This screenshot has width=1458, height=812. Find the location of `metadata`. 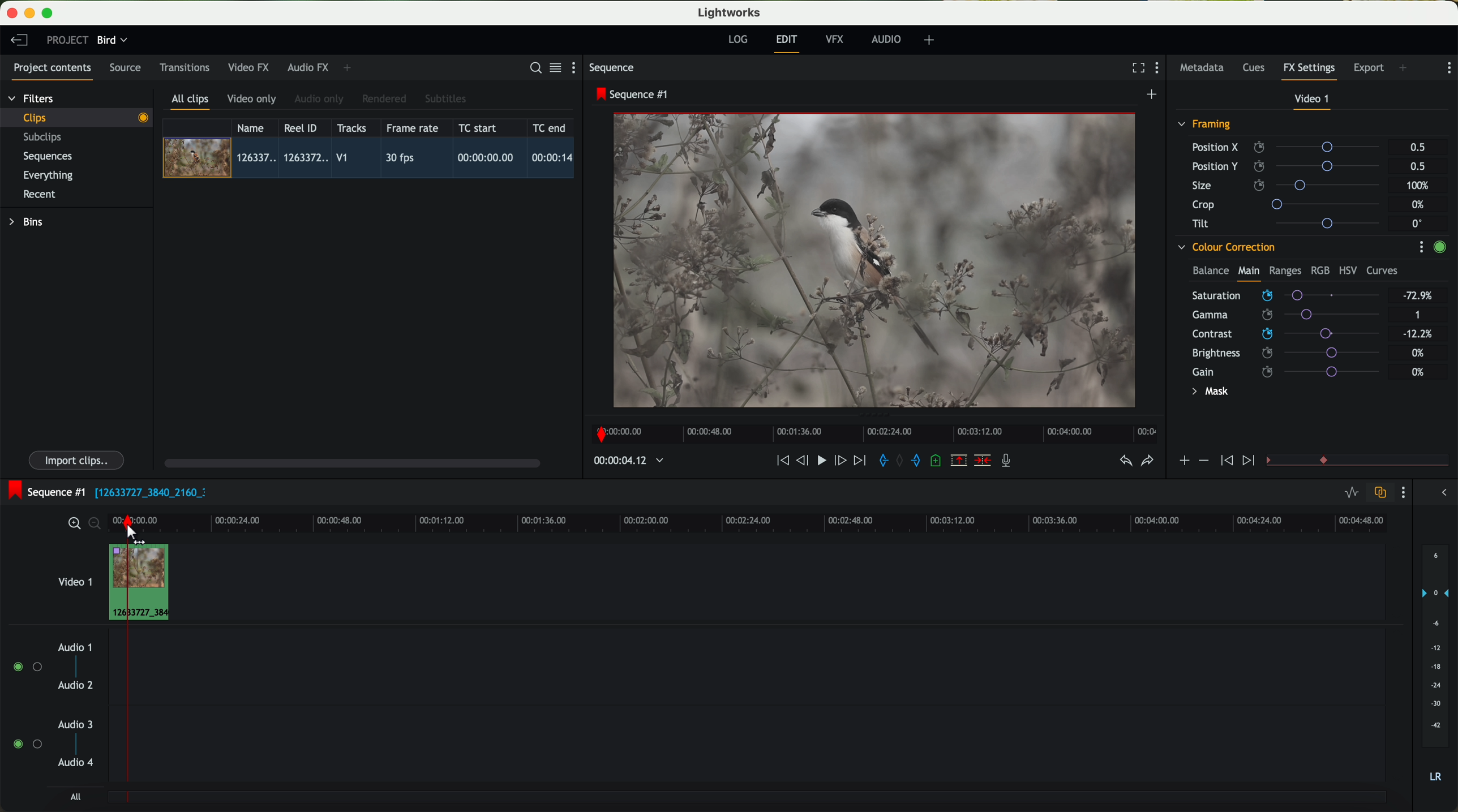

metadata is located at coordinates (1204, 68).